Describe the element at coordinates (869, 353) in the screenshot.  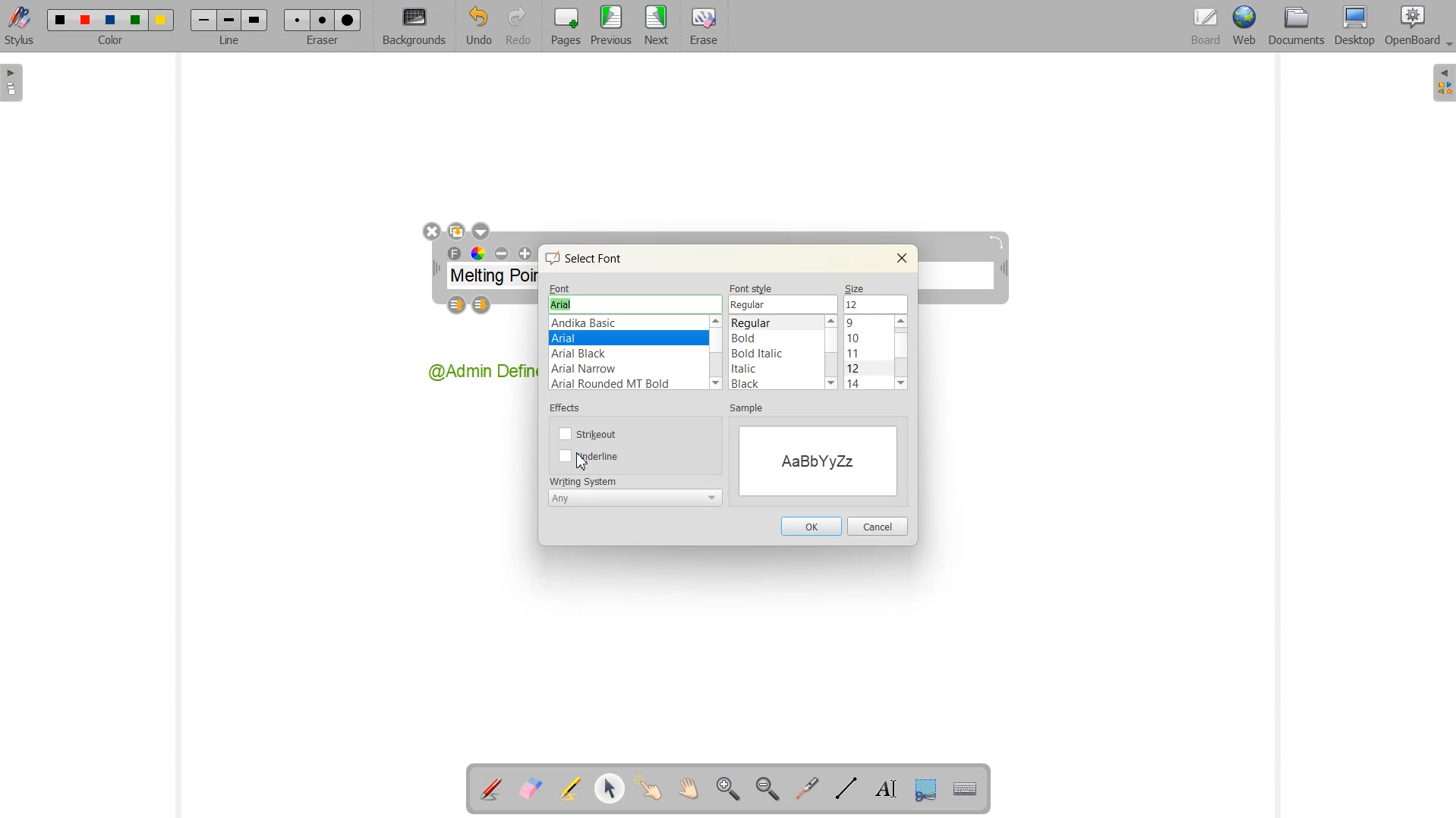
I see `Font Size` at that location.